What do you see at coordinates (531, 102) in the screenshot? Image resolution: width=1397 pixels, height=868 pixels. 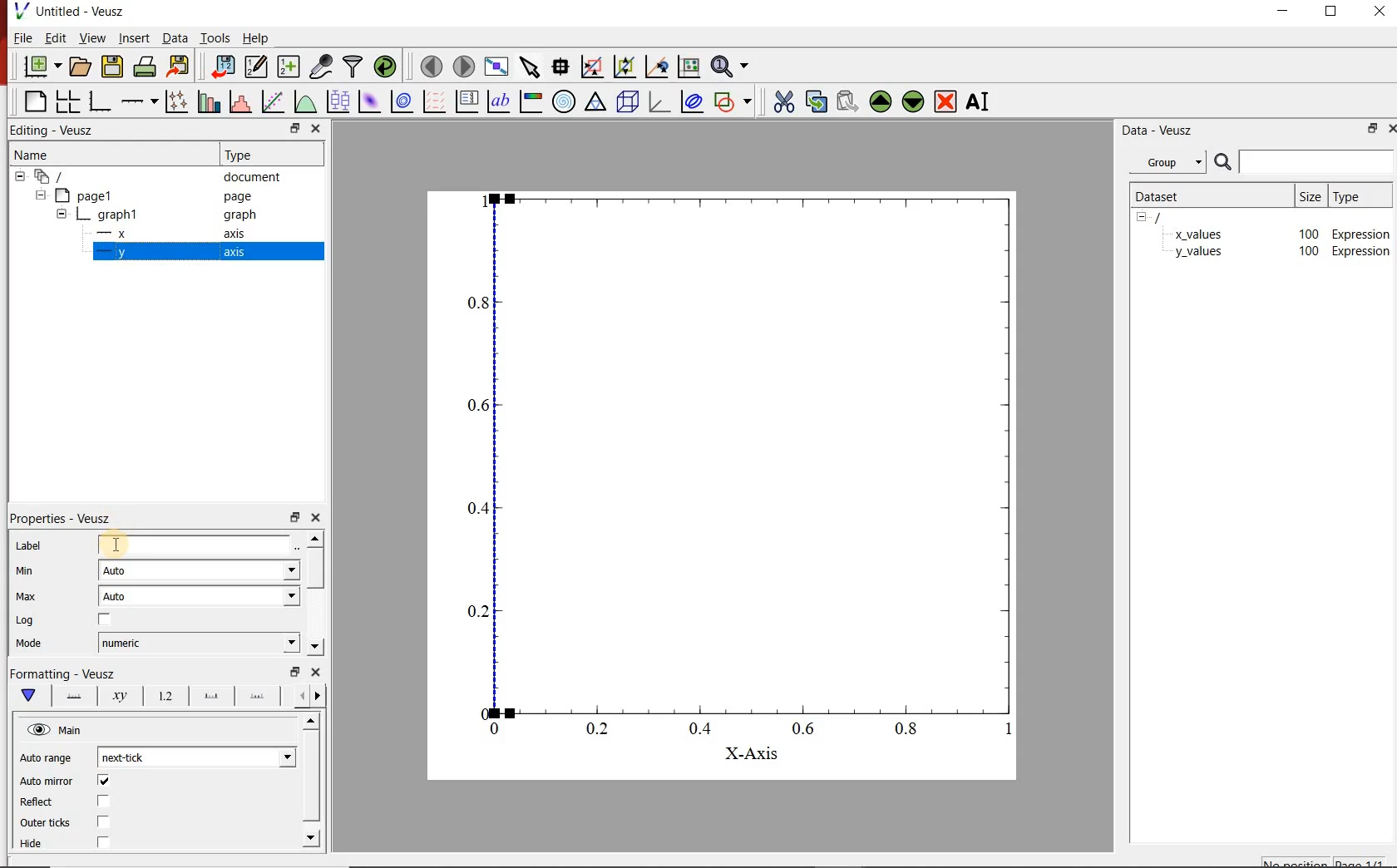 I see `image color bar` at bounding box center [531, 102].